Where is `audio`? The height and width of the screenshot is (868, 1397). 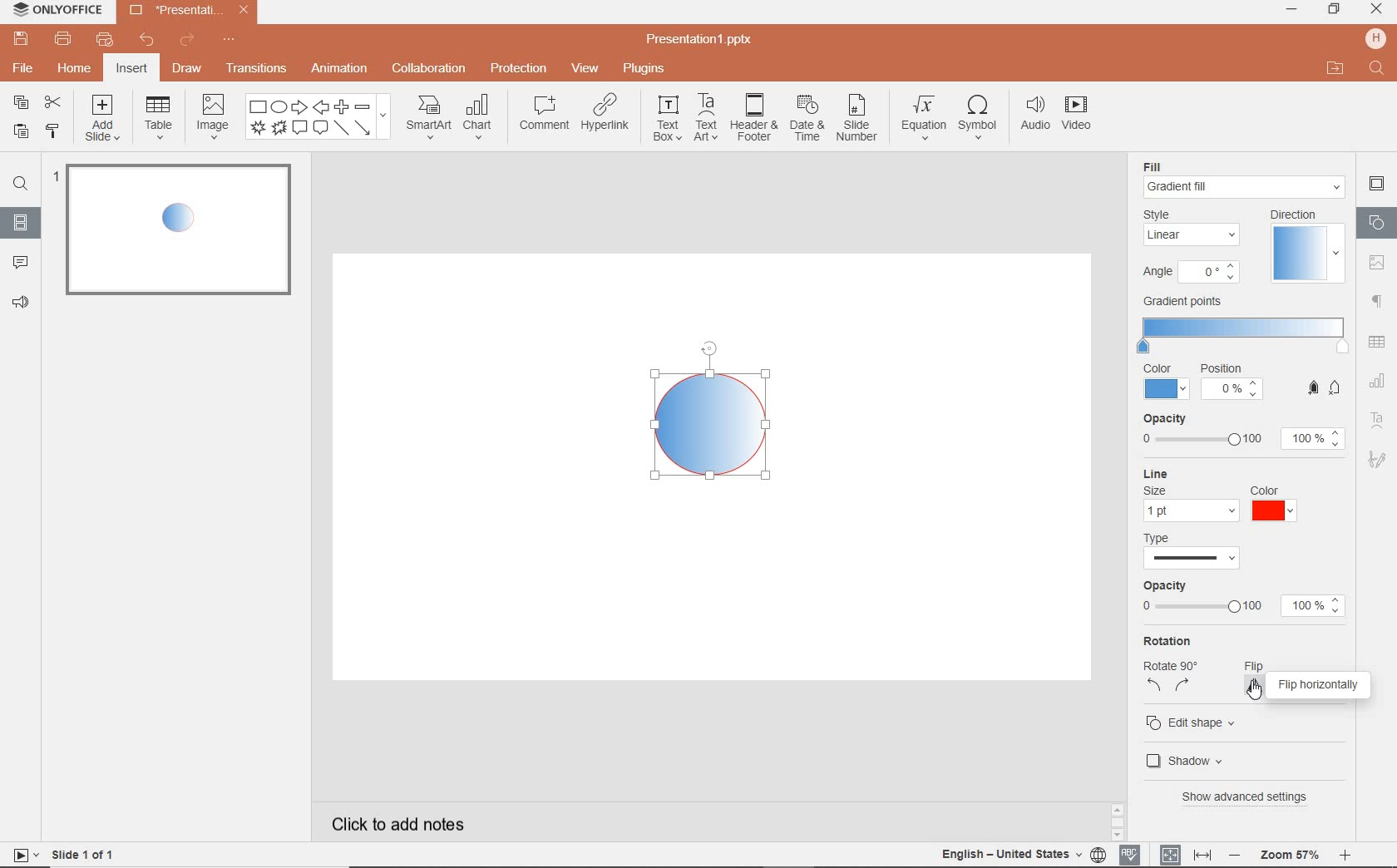
audio is located at coordinates (1033, 116).